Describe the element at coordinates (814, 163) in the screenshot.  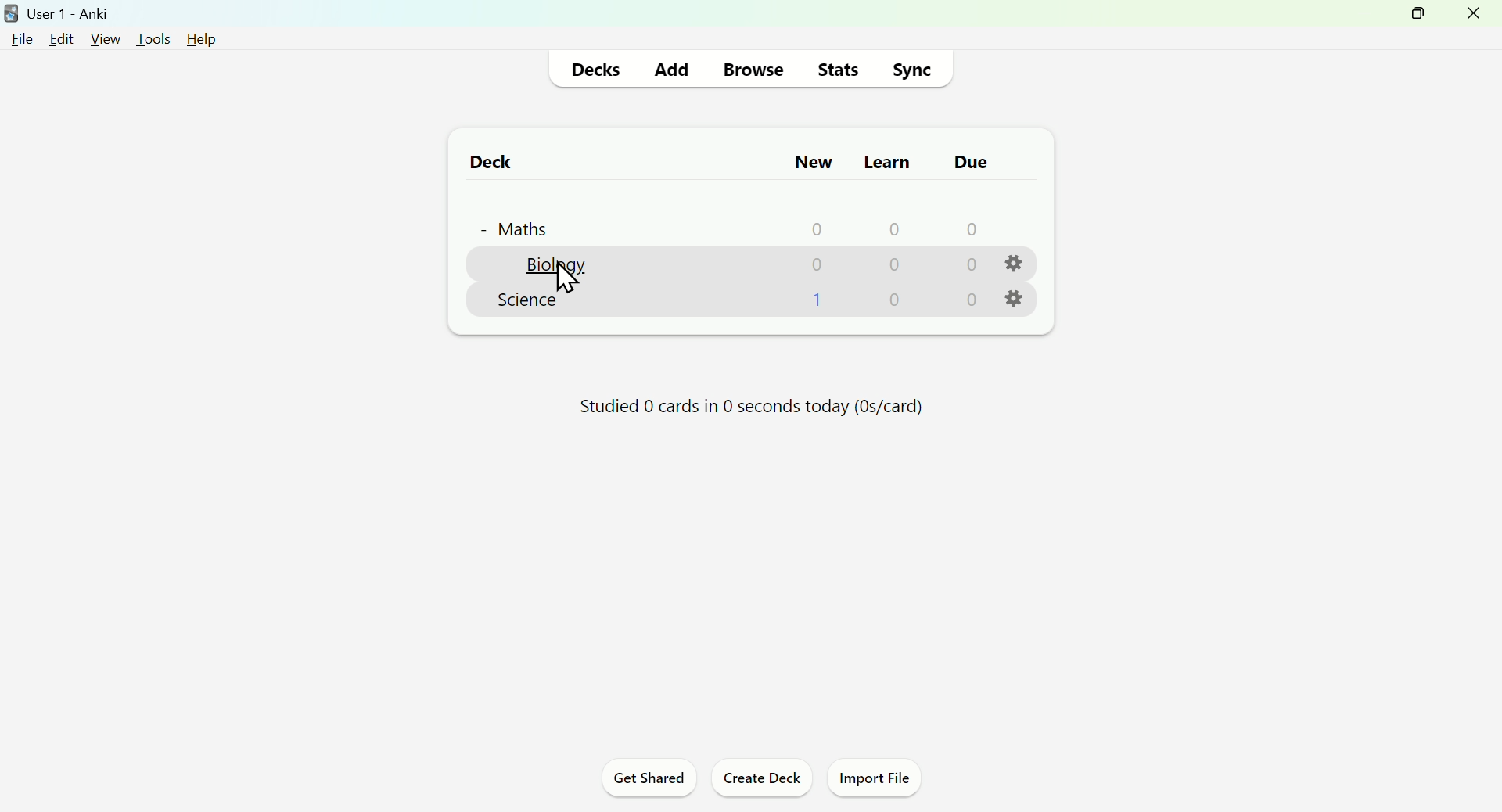
I see `New` at that location.